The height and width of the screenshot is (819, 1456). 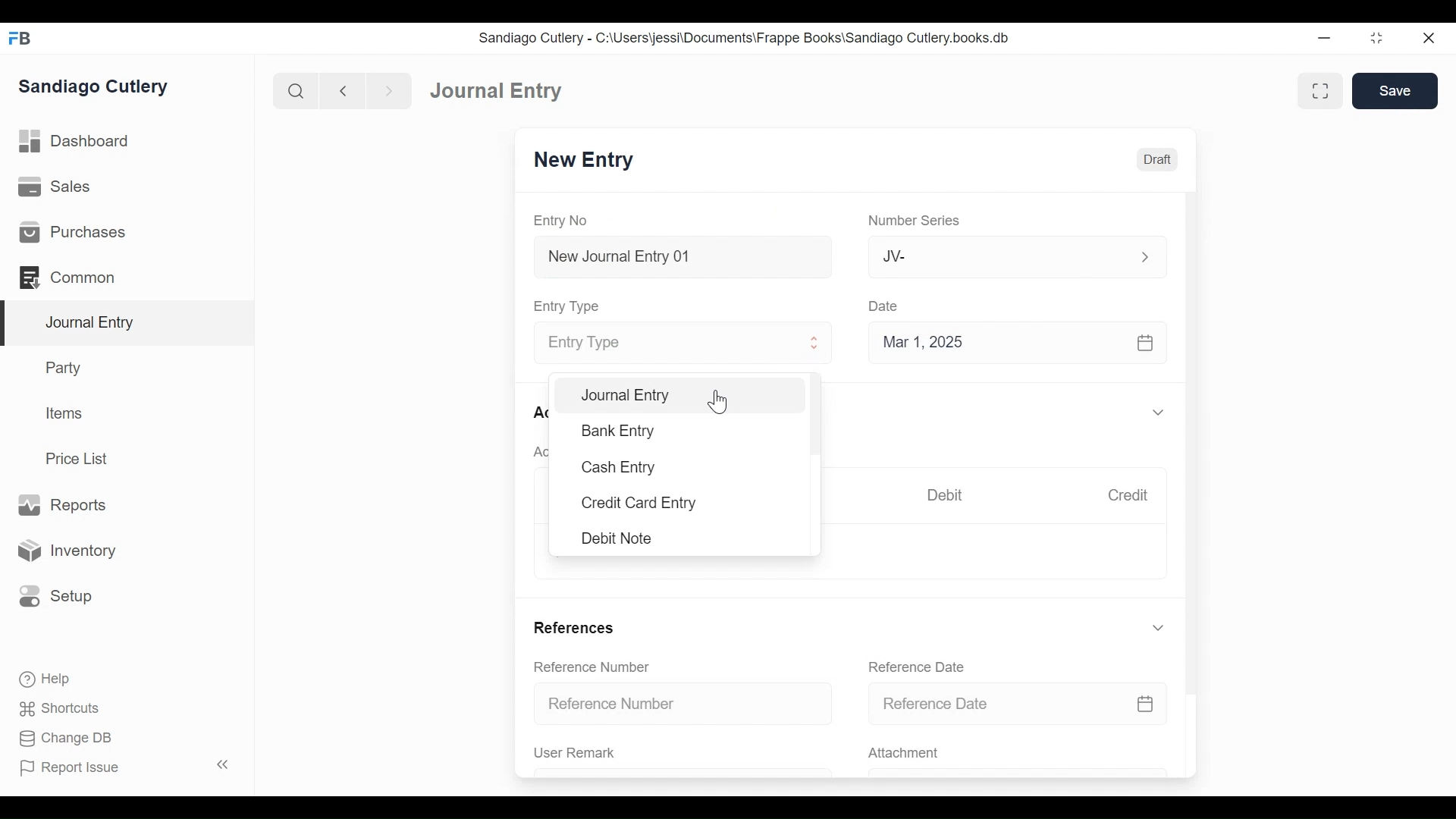 What do you see at coordinates (884, 306) in the screenshot?
I see `Date` at bounding box center [884, 306].